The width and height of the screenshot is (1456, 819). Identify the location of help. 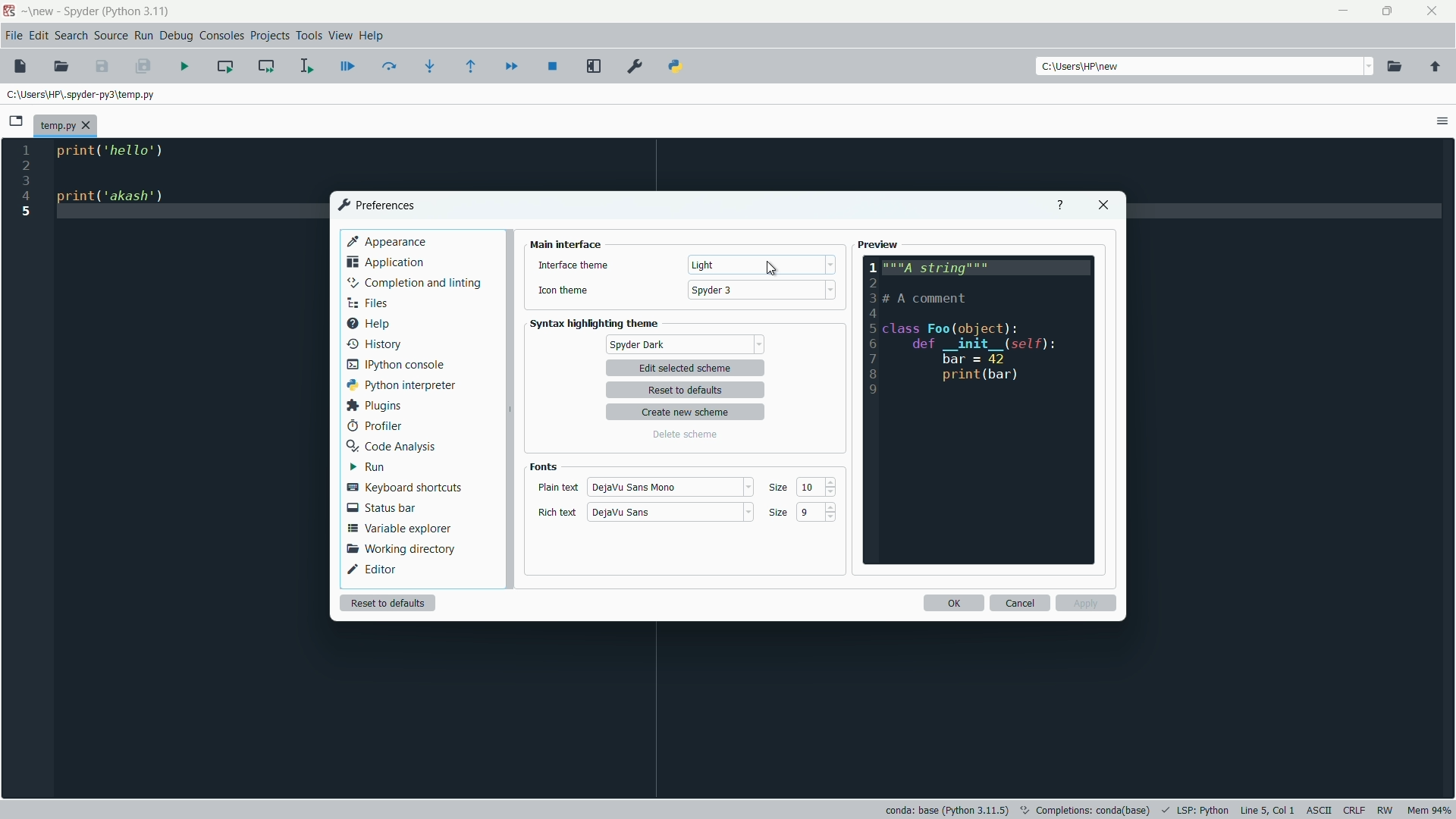
(1059, 206).